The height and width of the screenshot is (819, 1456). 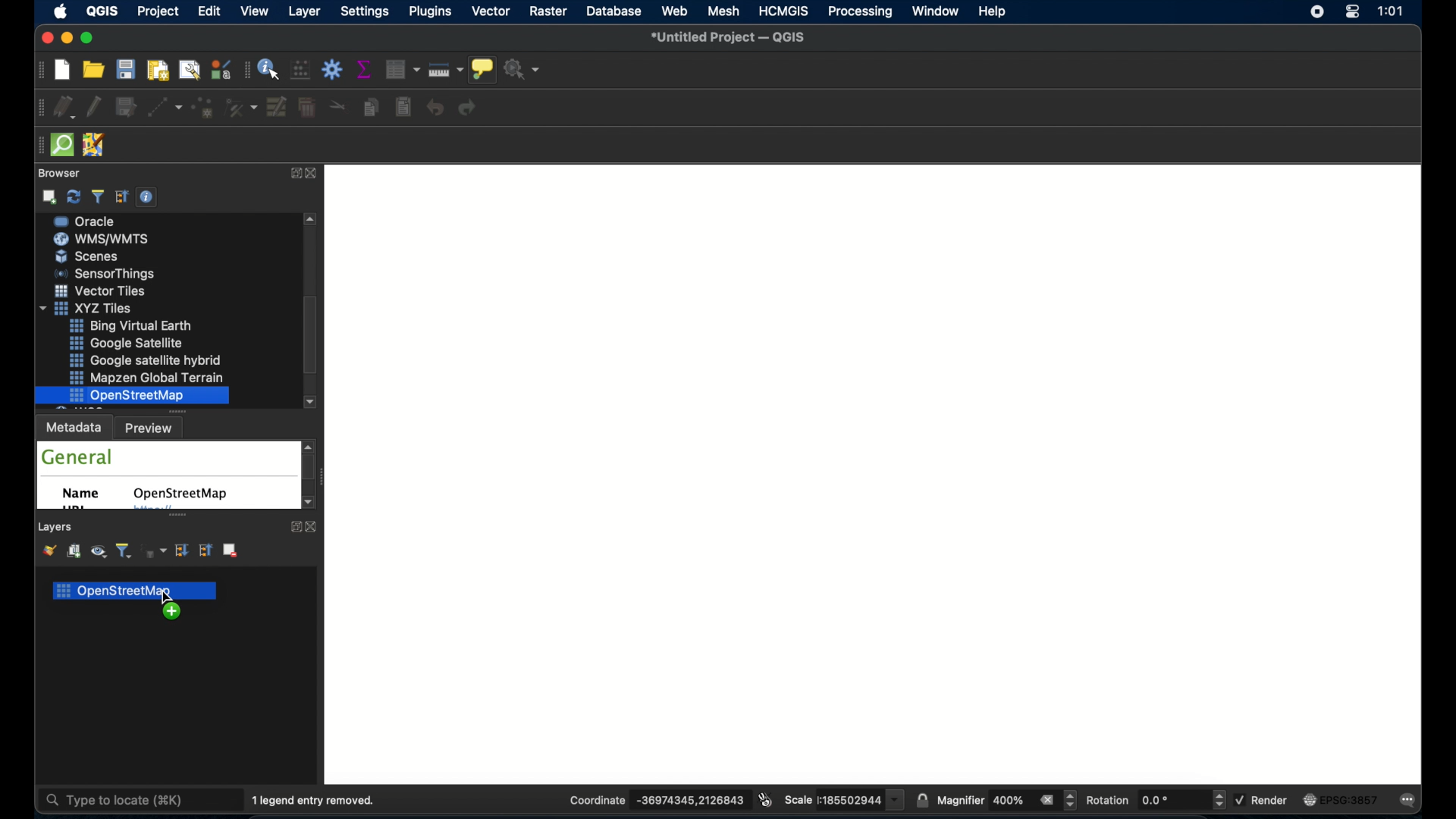 I want to click on scale, so click(x=843, y=799).